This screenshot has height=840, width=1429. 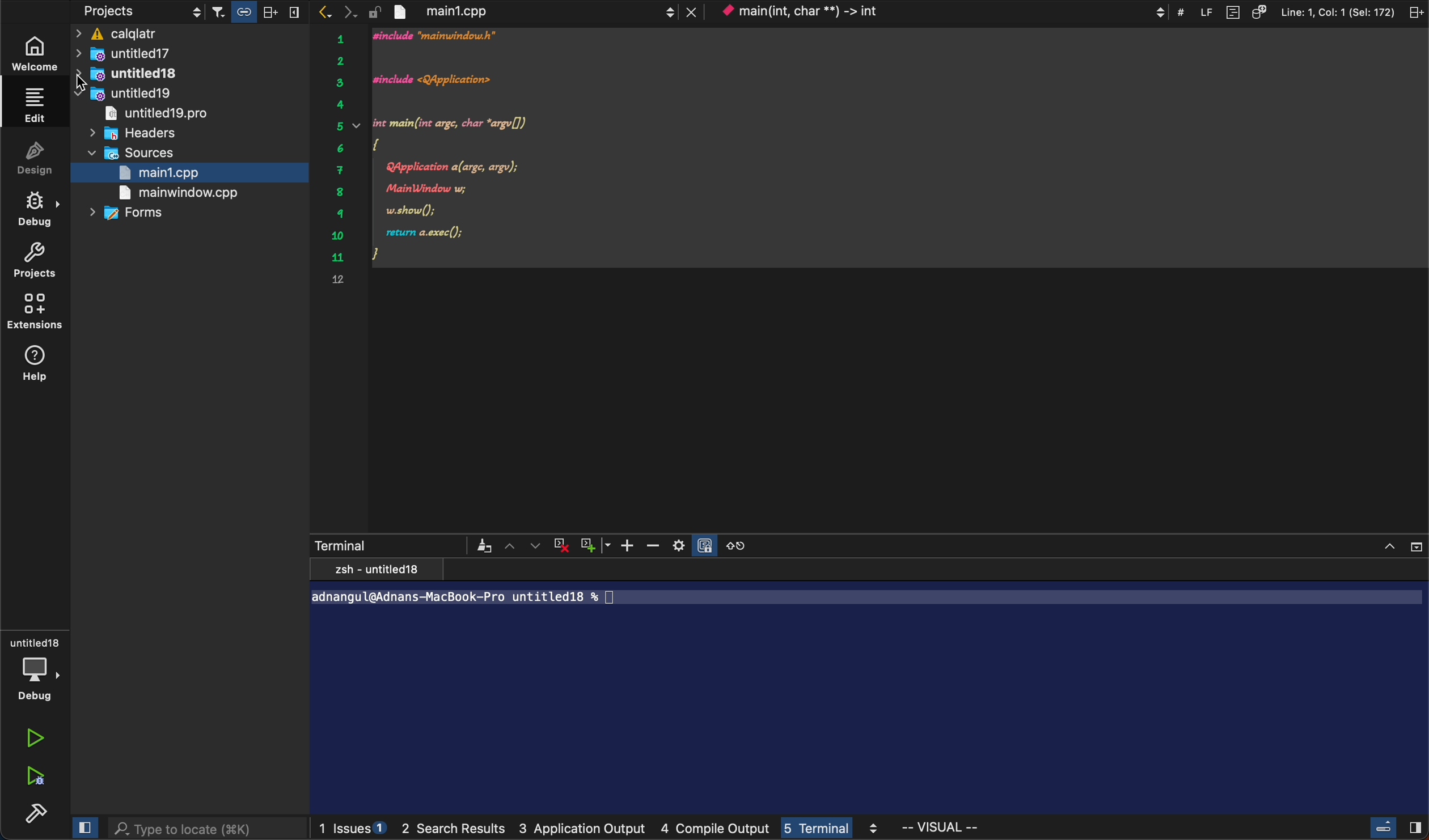 What do you see at coordinates (38, 367) in the screenshot?
I see `help` at bounding box center [38, 367].